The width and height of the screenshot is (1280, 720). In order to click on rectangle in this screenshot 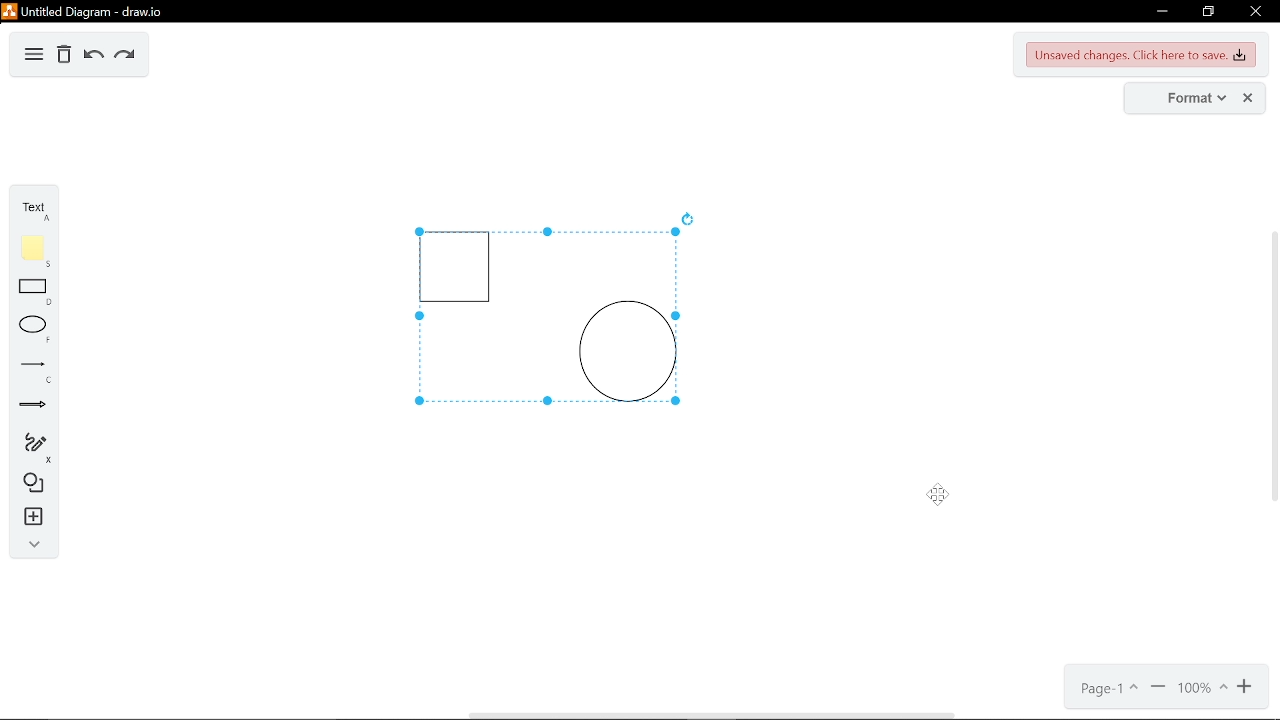, I will do `click(34, 293)`.